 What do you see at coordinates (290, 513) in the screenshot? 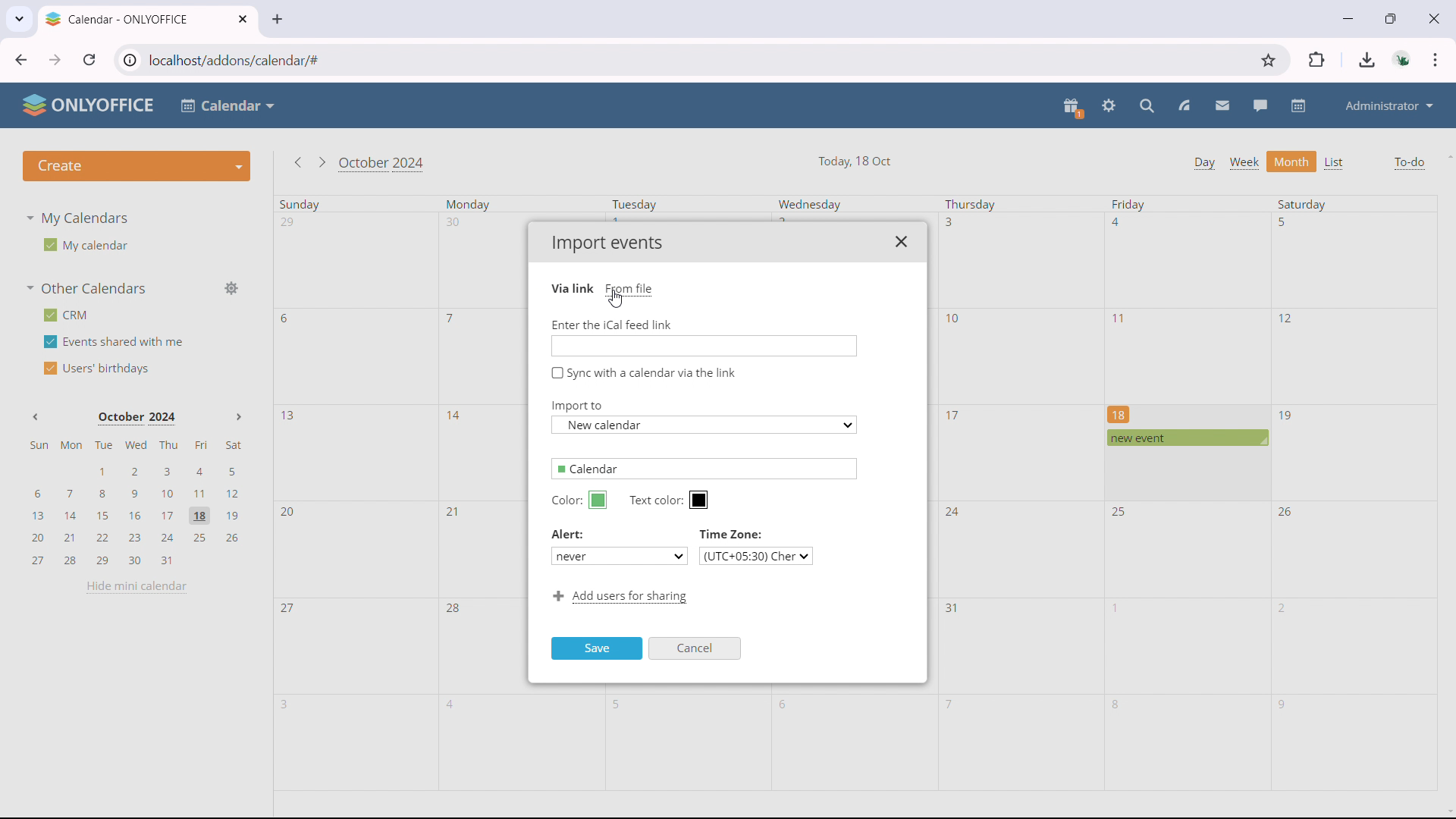
I see `20` at bounding box center [290, 513].